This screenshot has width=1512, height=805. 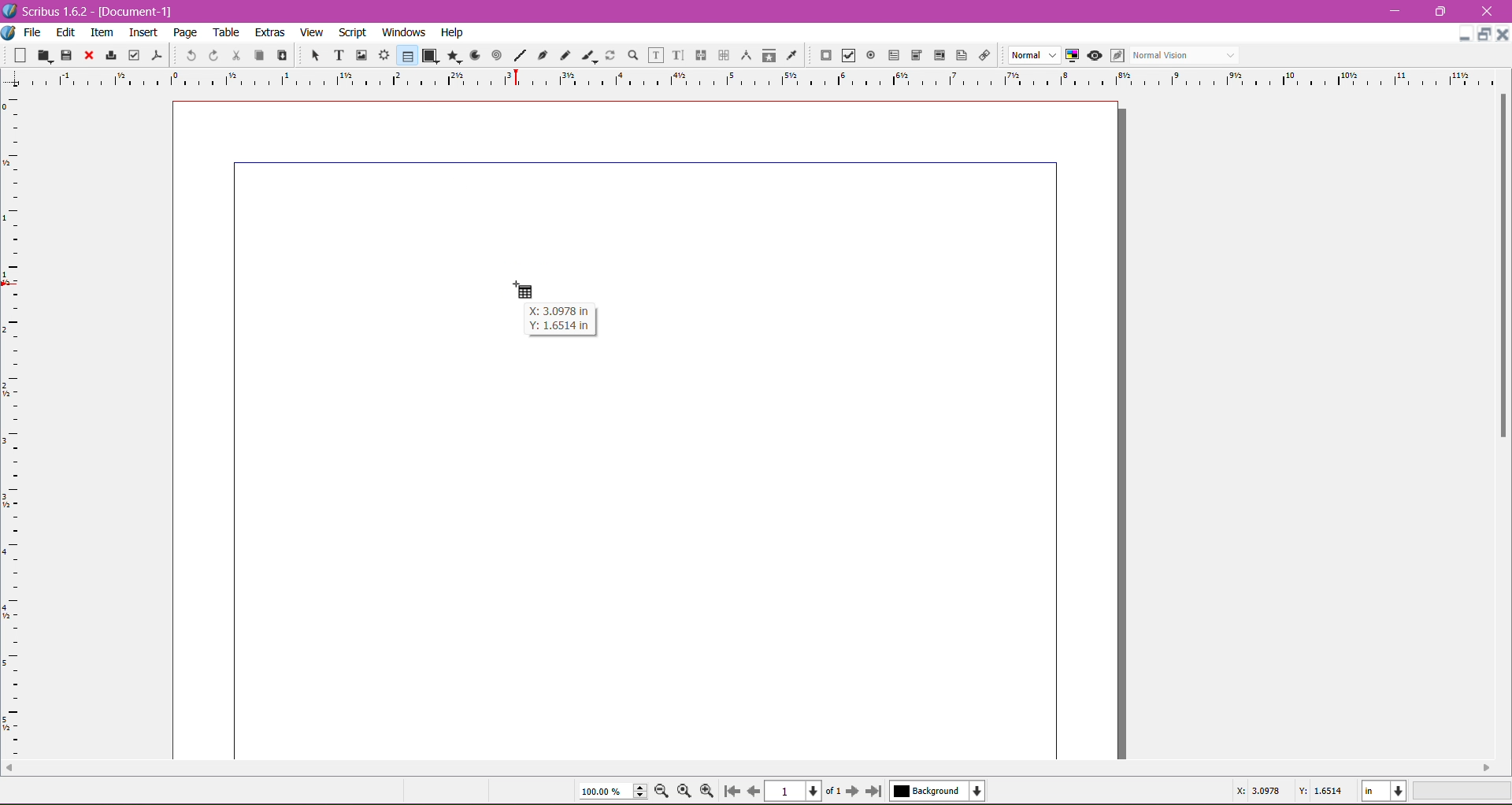 What do you see at coordinates (22, 54) in the screenshot?
I see `New` at bounding box center [22, 54].